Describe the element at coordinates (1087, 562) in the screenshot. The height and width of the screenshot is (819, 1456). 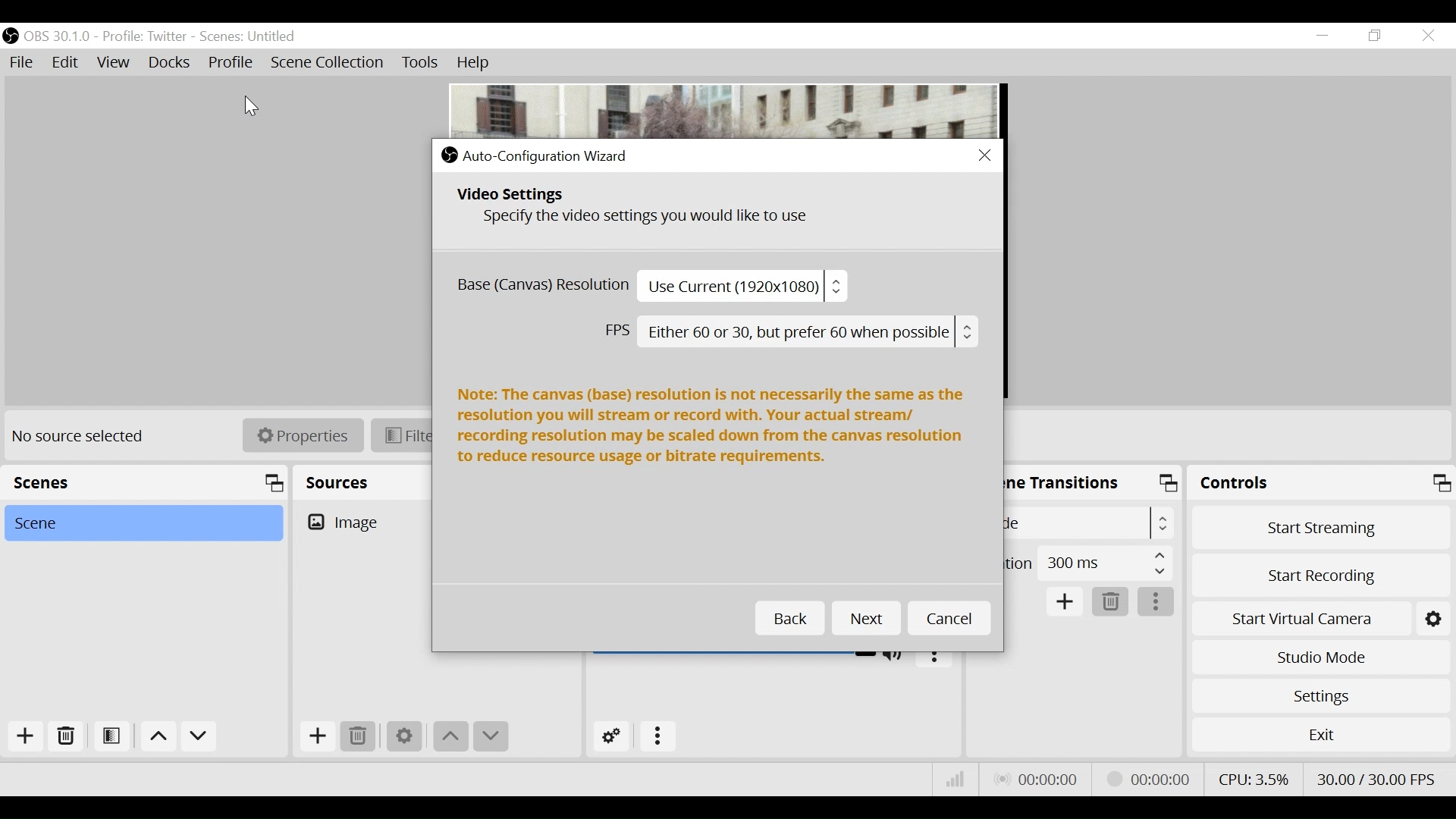
I see `Select Duration` at that location.